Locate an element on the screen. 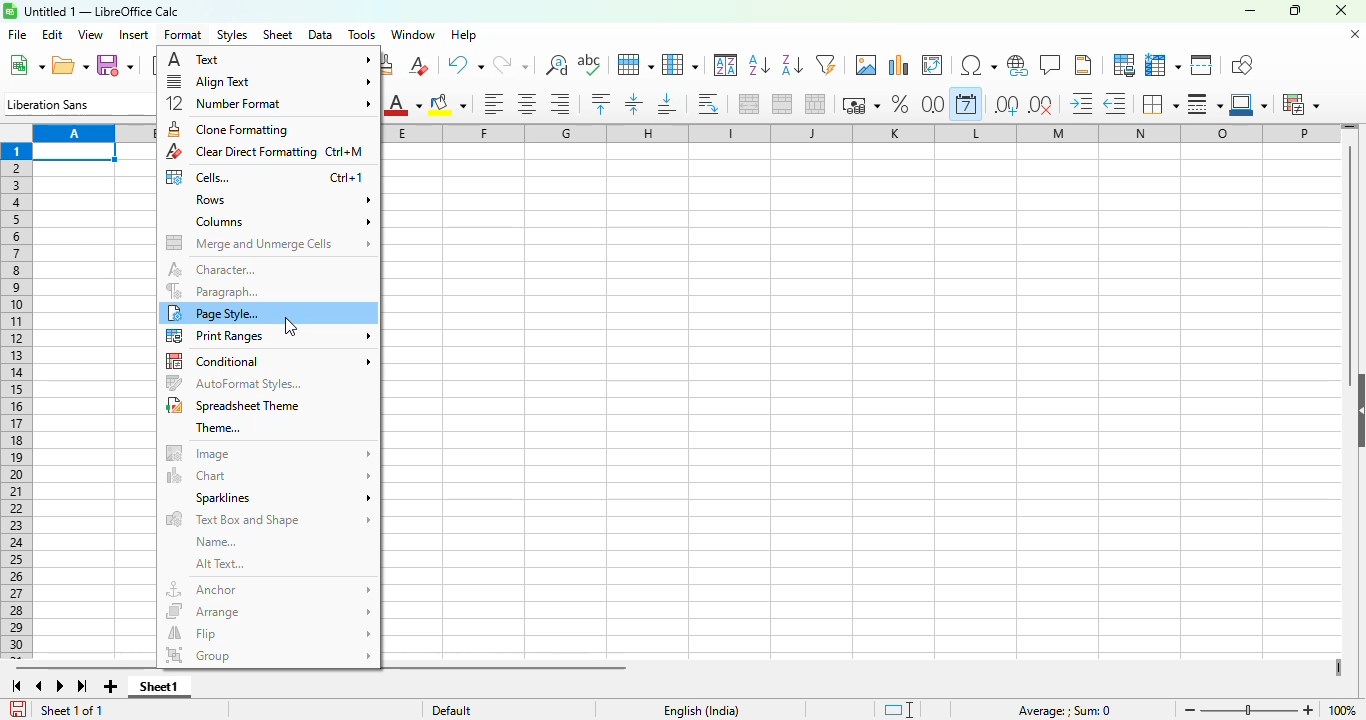 This screenshot has width=1366, height=720. help is located at coordinates (464, 34).